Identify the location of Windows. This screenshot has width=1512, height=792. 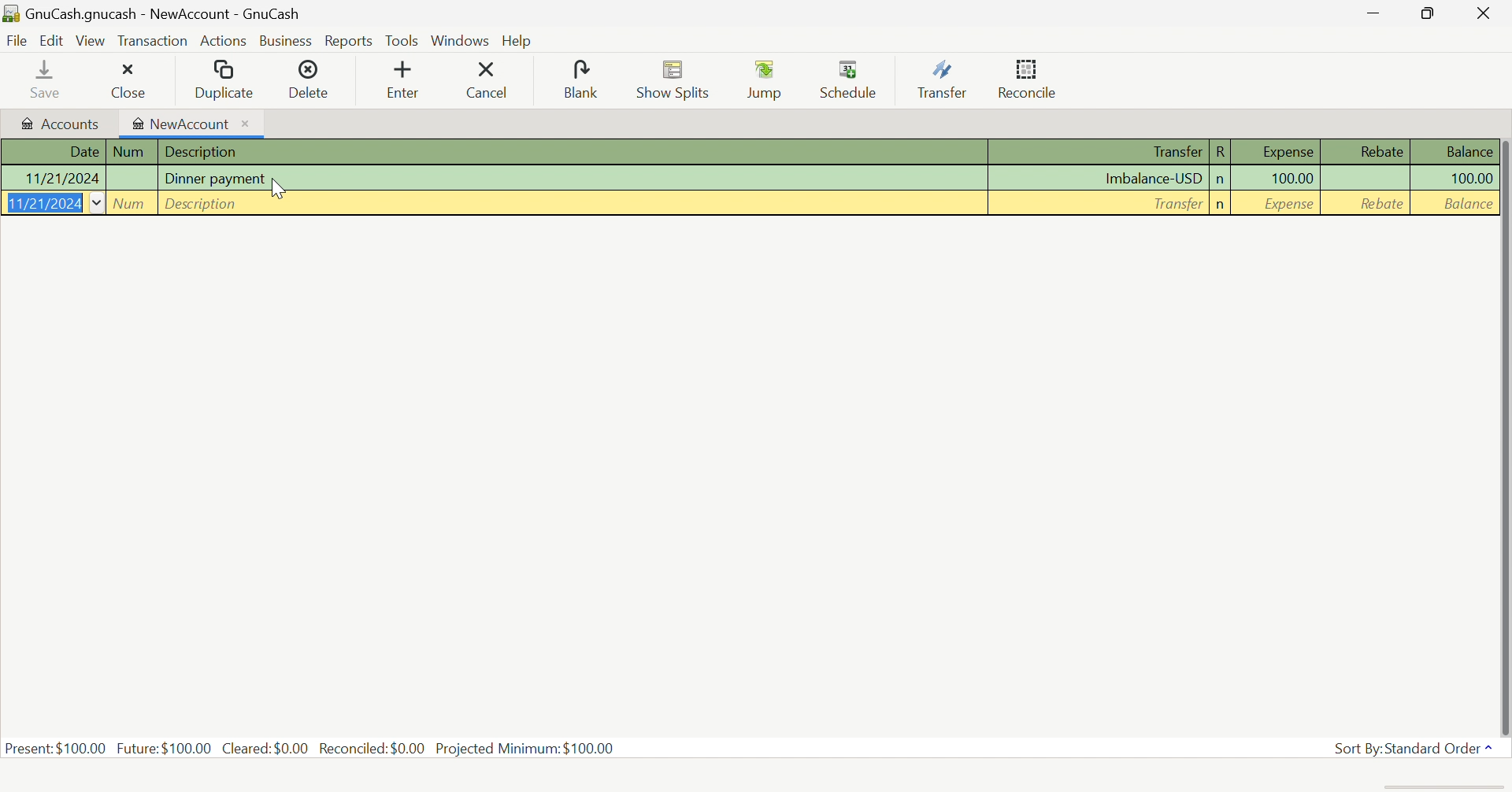
(461, 40).